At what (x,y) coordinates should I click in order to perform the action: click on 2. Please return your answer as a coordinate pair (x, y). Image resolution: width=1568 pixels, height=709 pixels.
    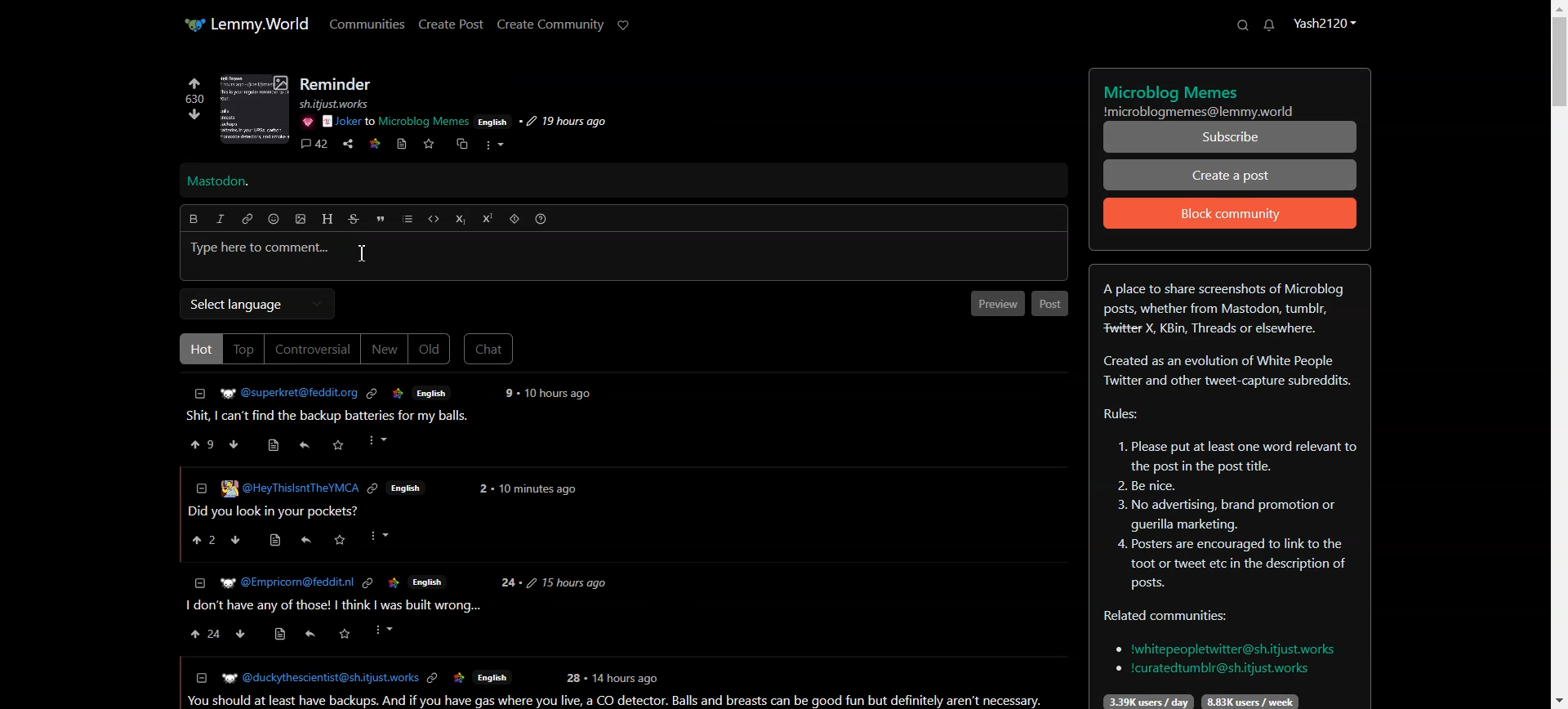
    Looking at the image, I should click on (482, 488).